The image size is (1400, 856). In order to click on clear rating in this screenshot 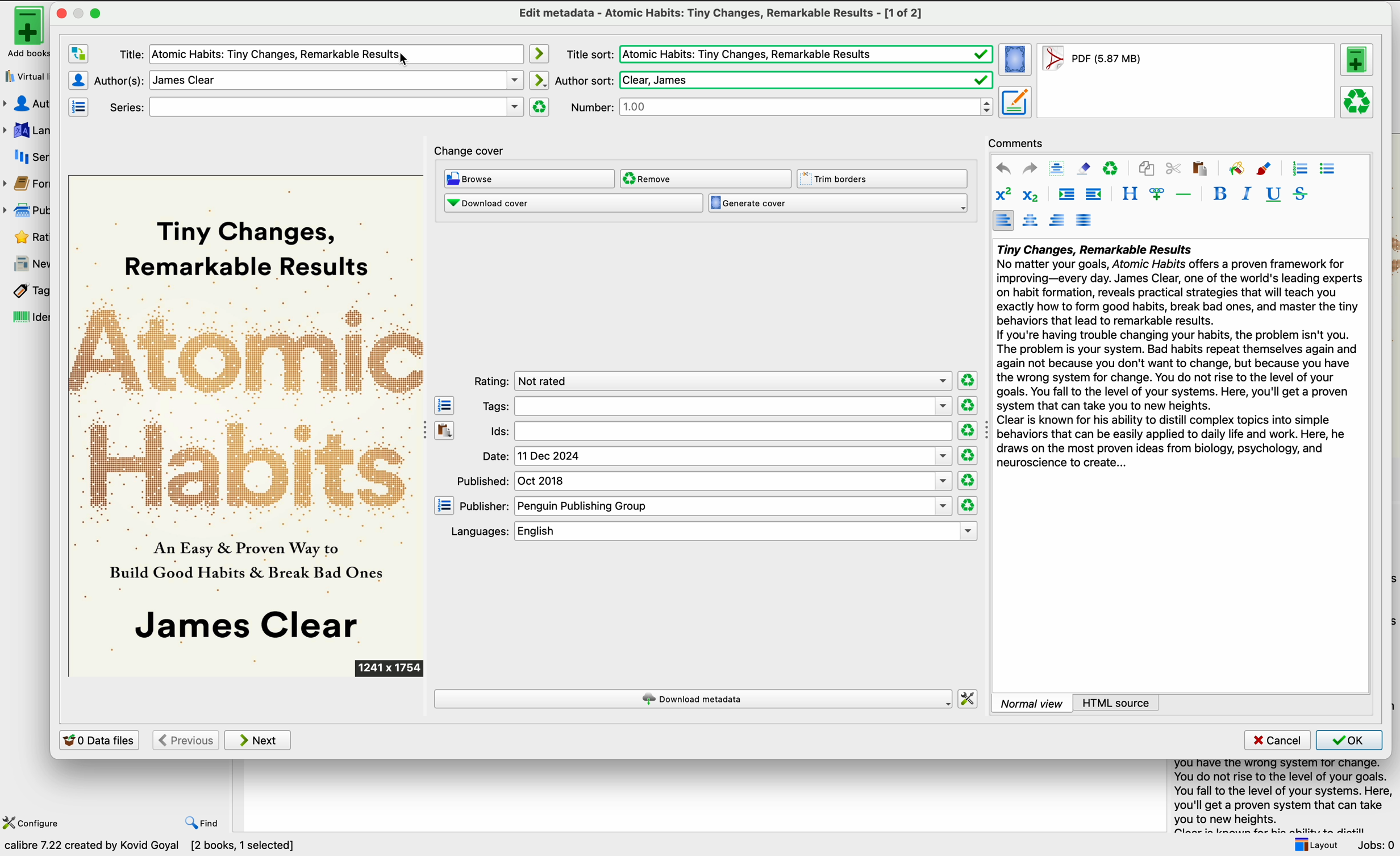, I will do `click(966, 481)`.